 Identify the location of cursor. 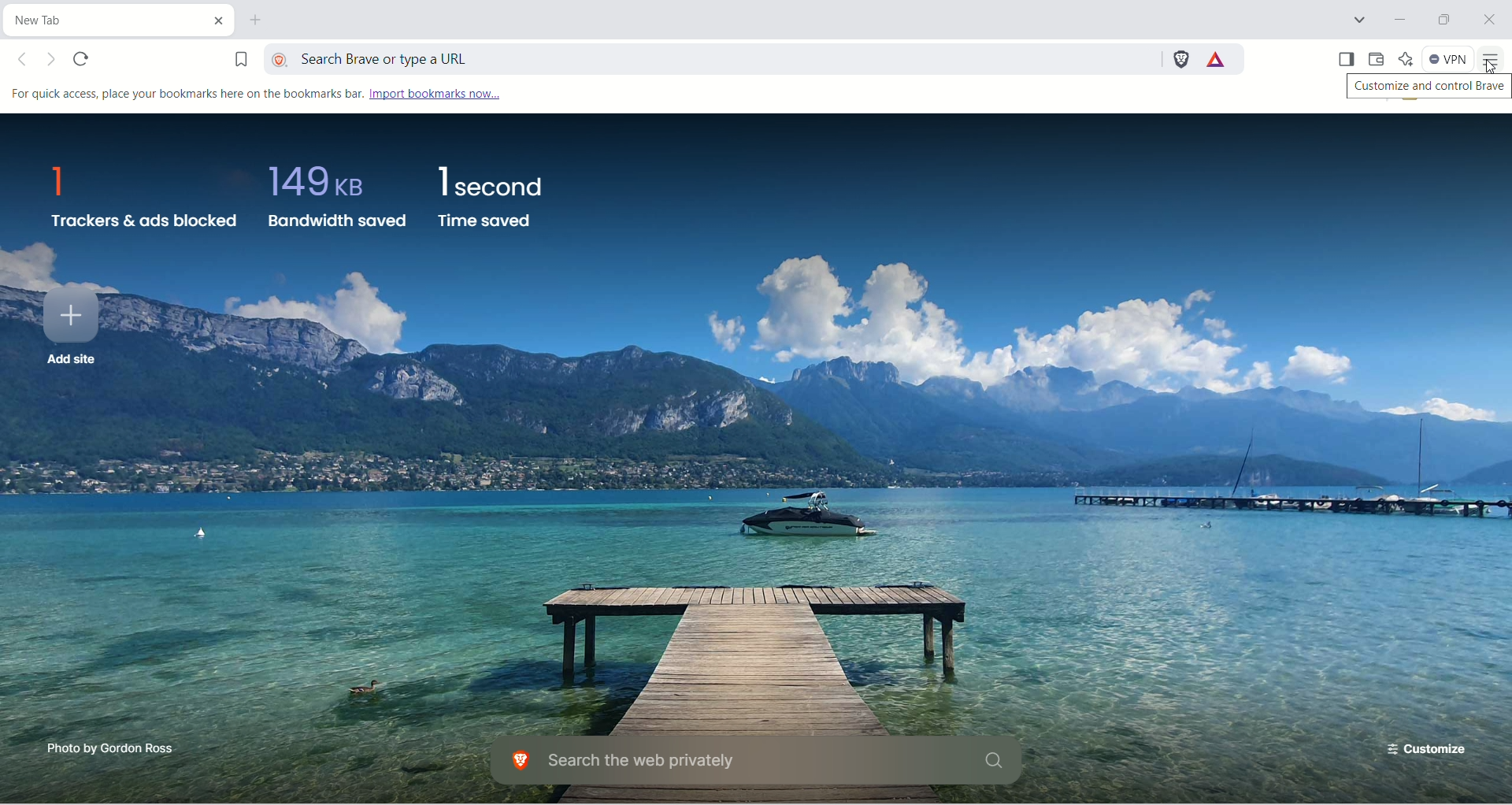
(1492, 69).